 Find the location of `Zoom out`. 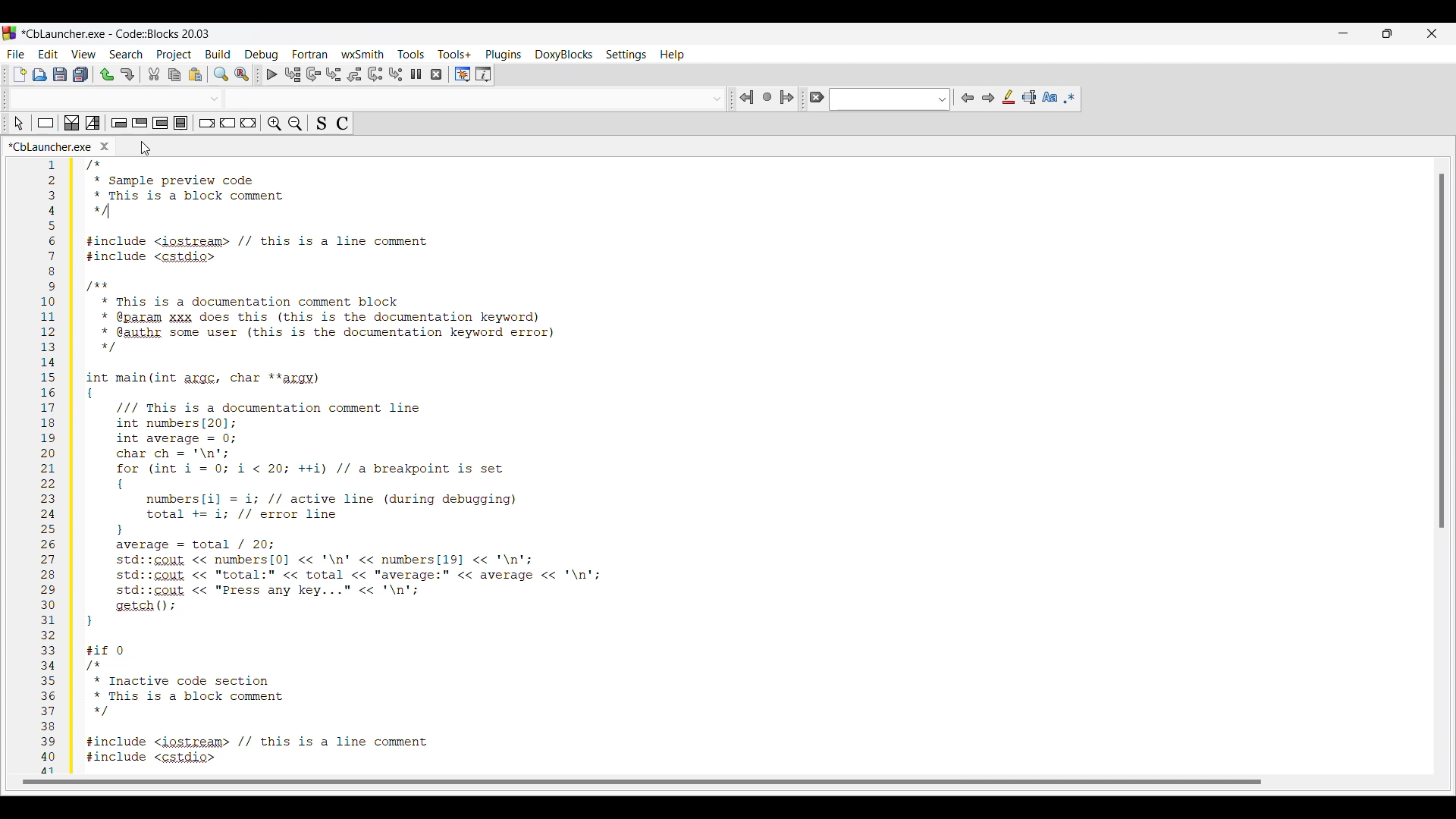

Zoom out is located at coordinates (294, 124).